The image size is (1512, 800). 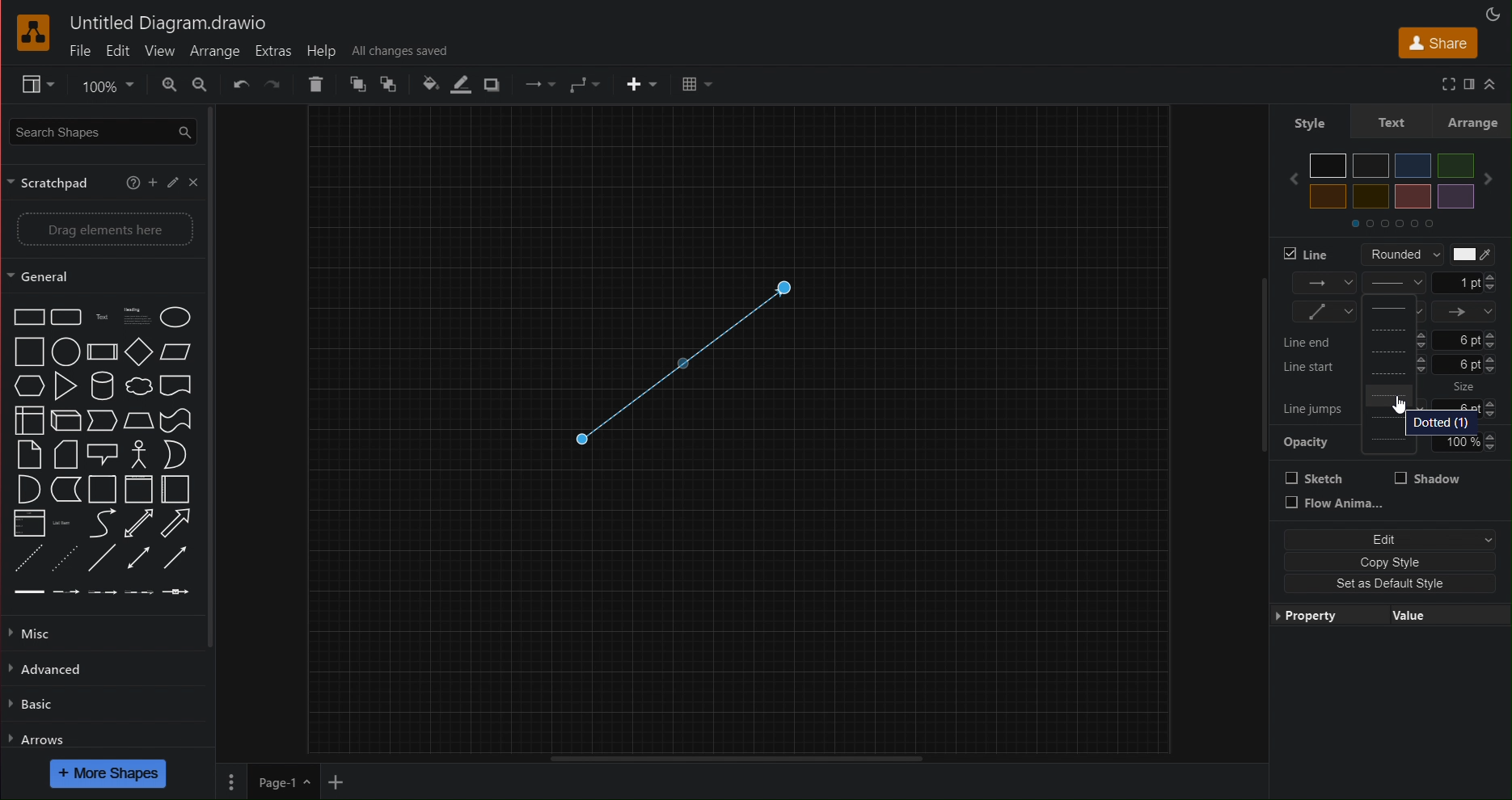 What do you see at coordinates (1434, 42) in the screenshot?
I see `Share` at bounding box center [1434, 42].